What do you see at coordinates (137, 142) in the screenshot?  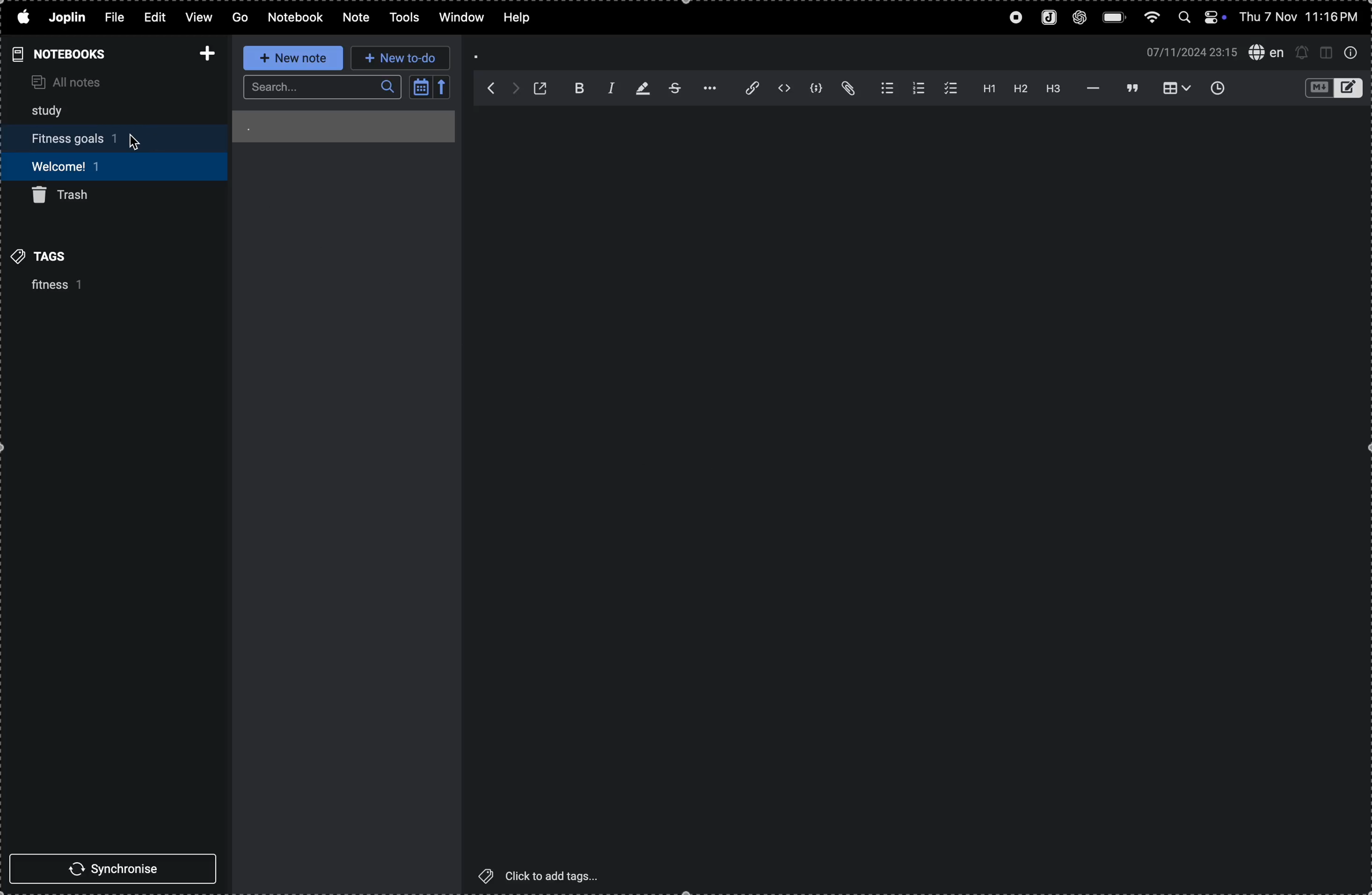 I see `cursor` at bounding box center [137, 142].